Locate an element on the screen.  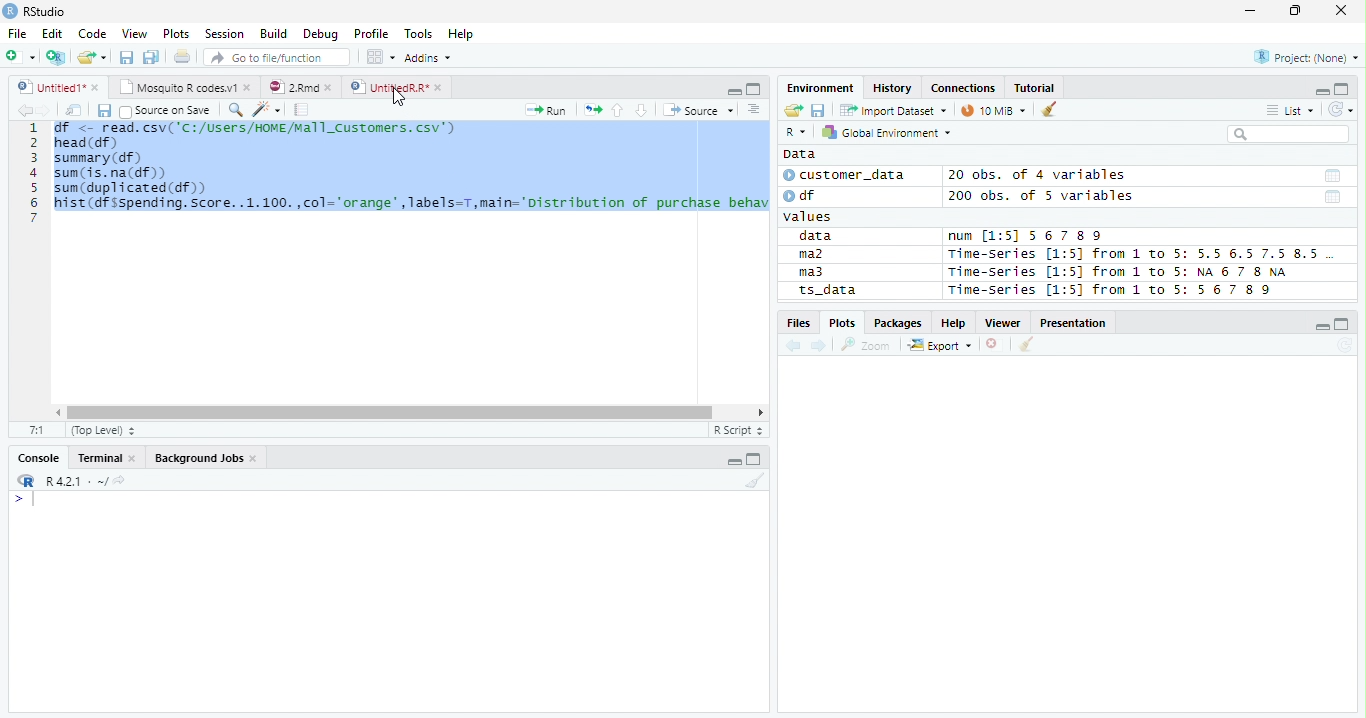
Re-run is located at coordinates (592, 111).